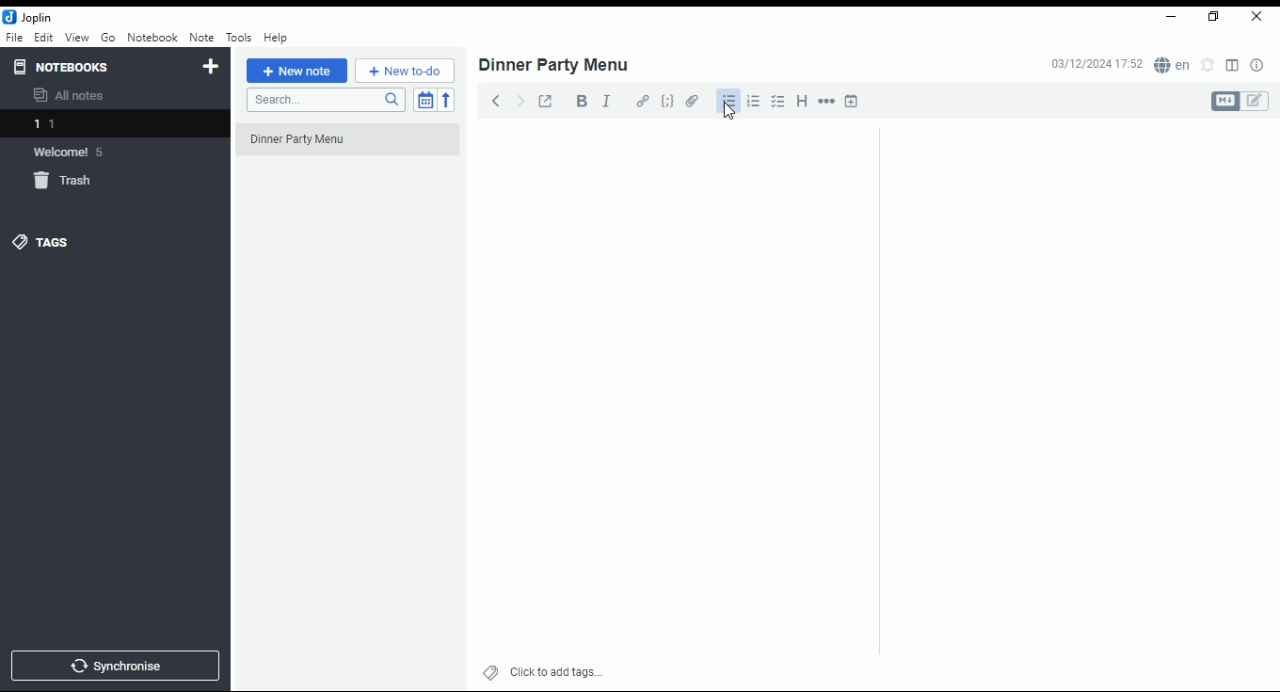 The width and height of the screenshot is (1280, 692). Describe the element at coordinates (296, 71) in the screenshot. I see `new note` at that location.